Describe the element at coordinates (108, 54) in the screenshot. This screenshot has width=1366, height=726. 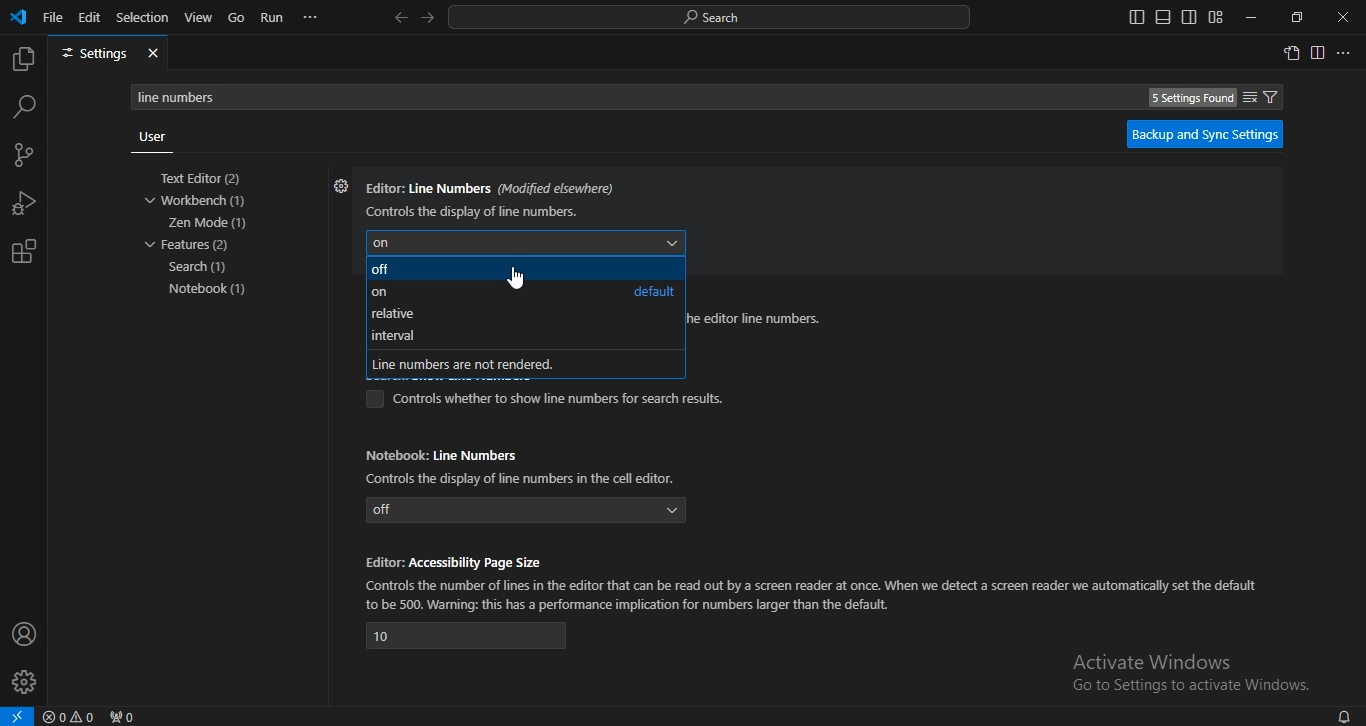
I see `settings` at that location.